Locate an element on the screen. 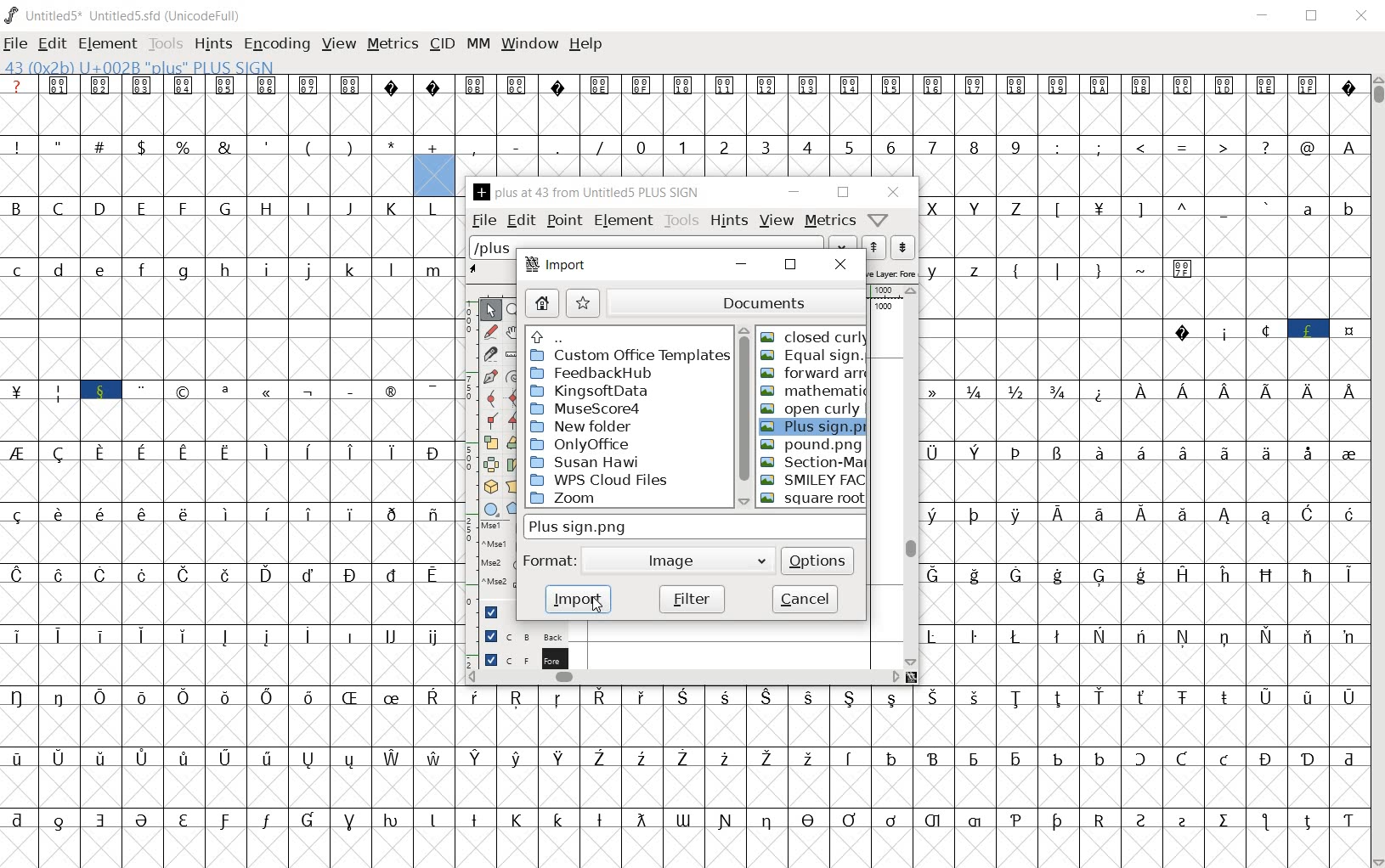 The image size is (1385, 868). minimize is located at coordinates (795, 192).